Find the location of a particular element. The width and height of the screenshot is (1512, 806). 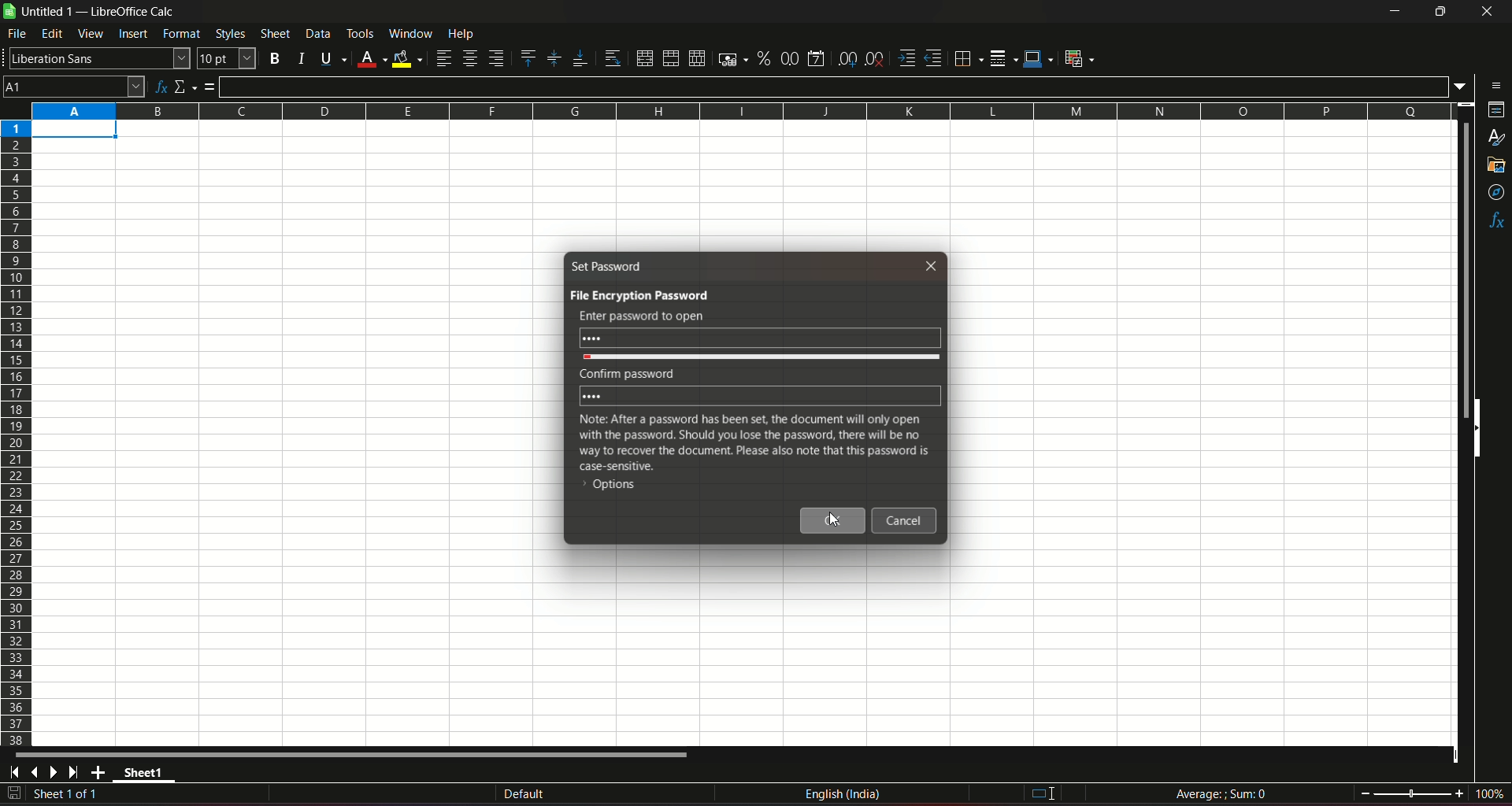

view is located at coordinates (91, 34).